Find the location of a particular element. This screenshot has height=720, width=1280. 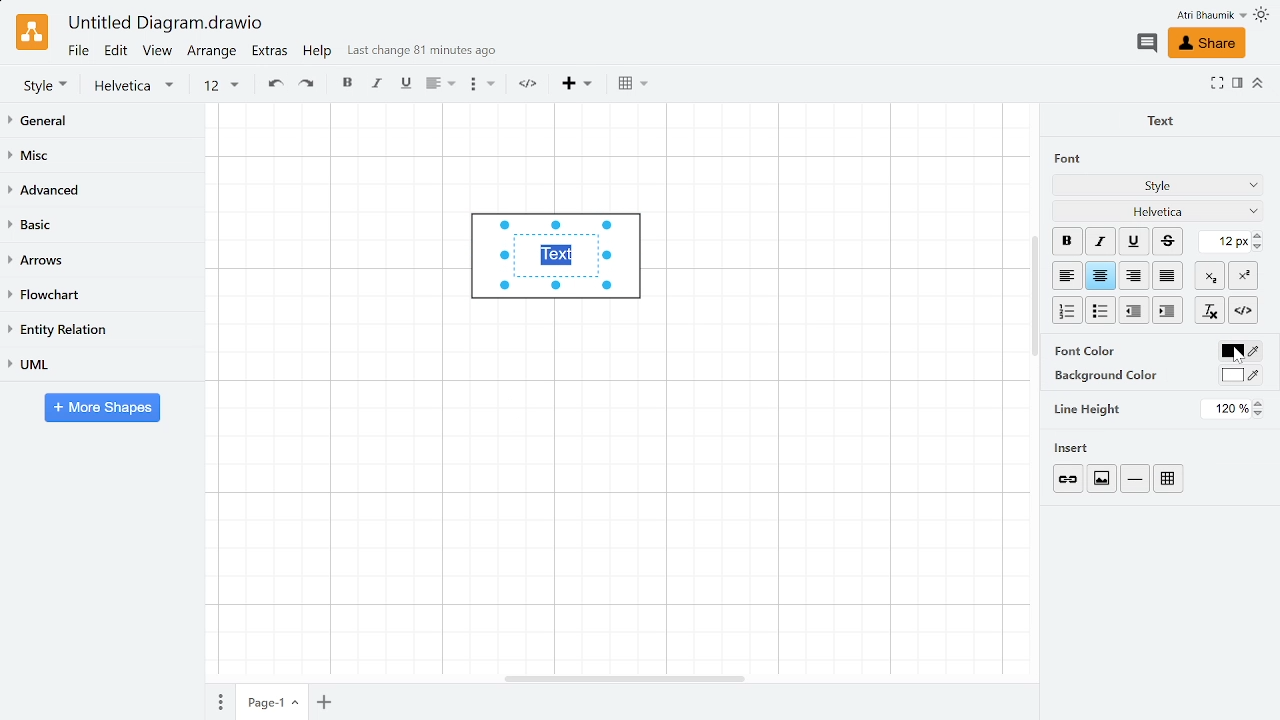

Italic is located at coordinates (1100, 242).